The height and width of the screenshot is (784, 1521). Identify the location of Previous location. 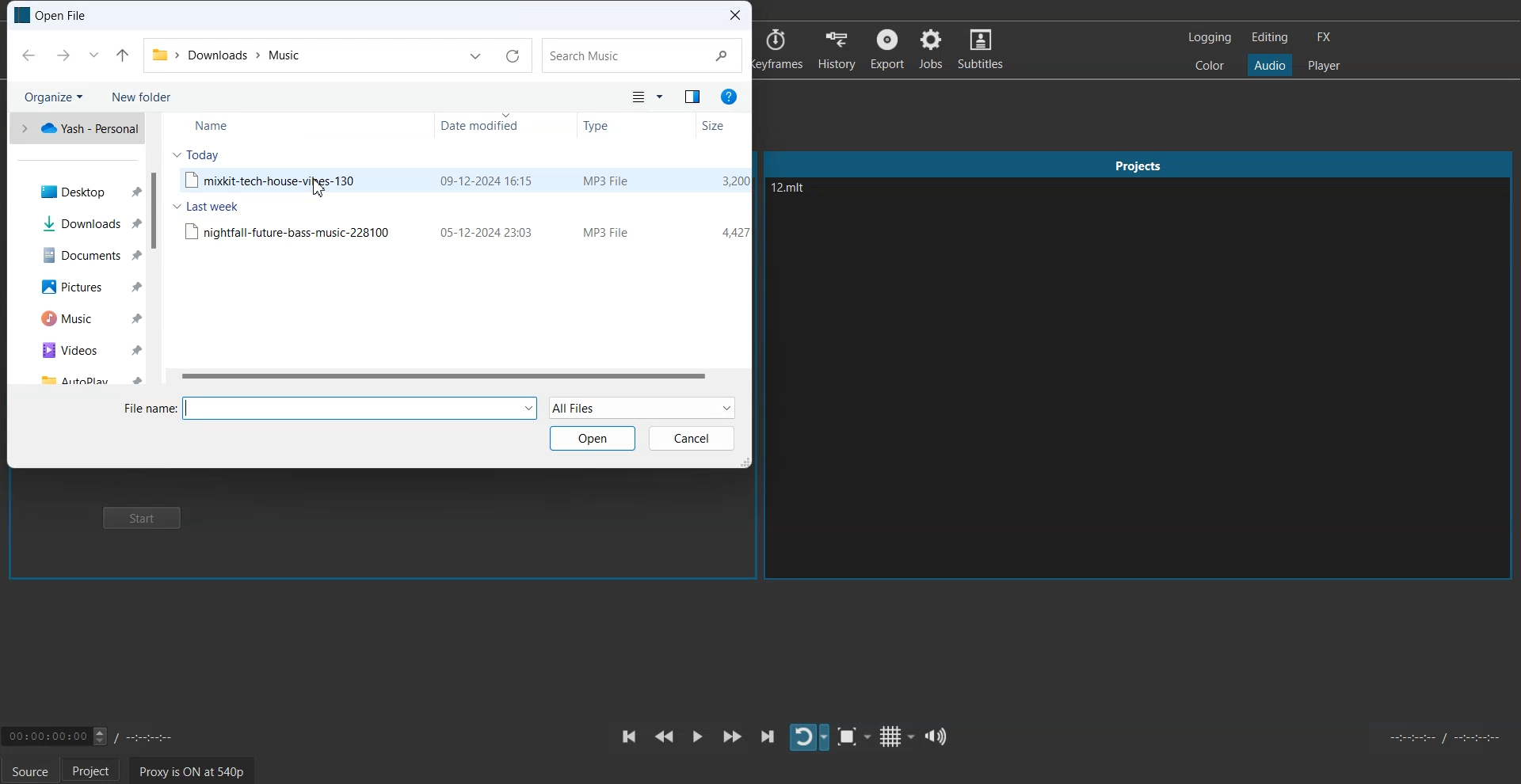
(476, 55).